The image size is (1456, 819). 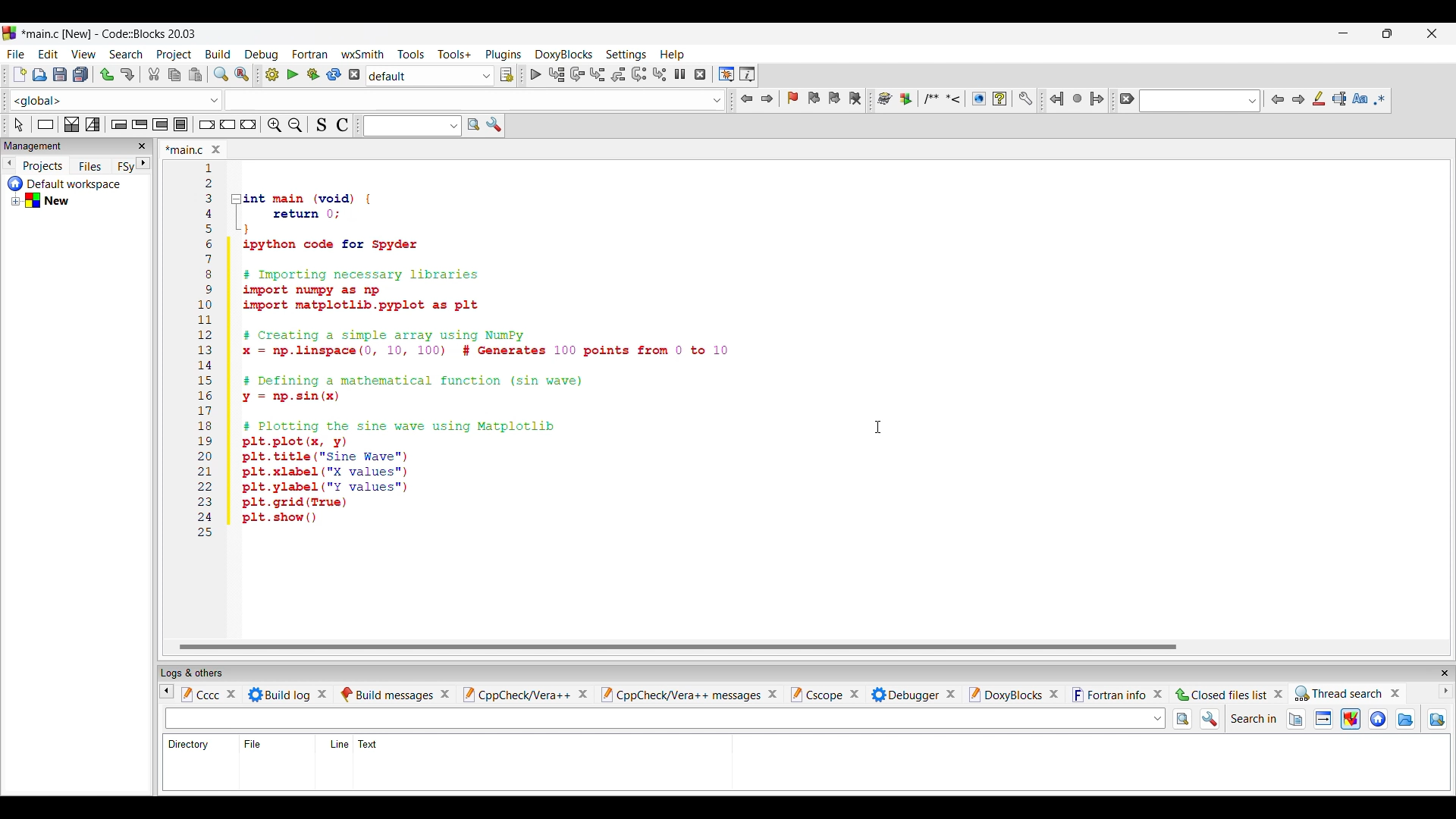 What do you see at coordinates (1122, 693) in the screenshot?
I see `` at bounding box center [1122, 693].